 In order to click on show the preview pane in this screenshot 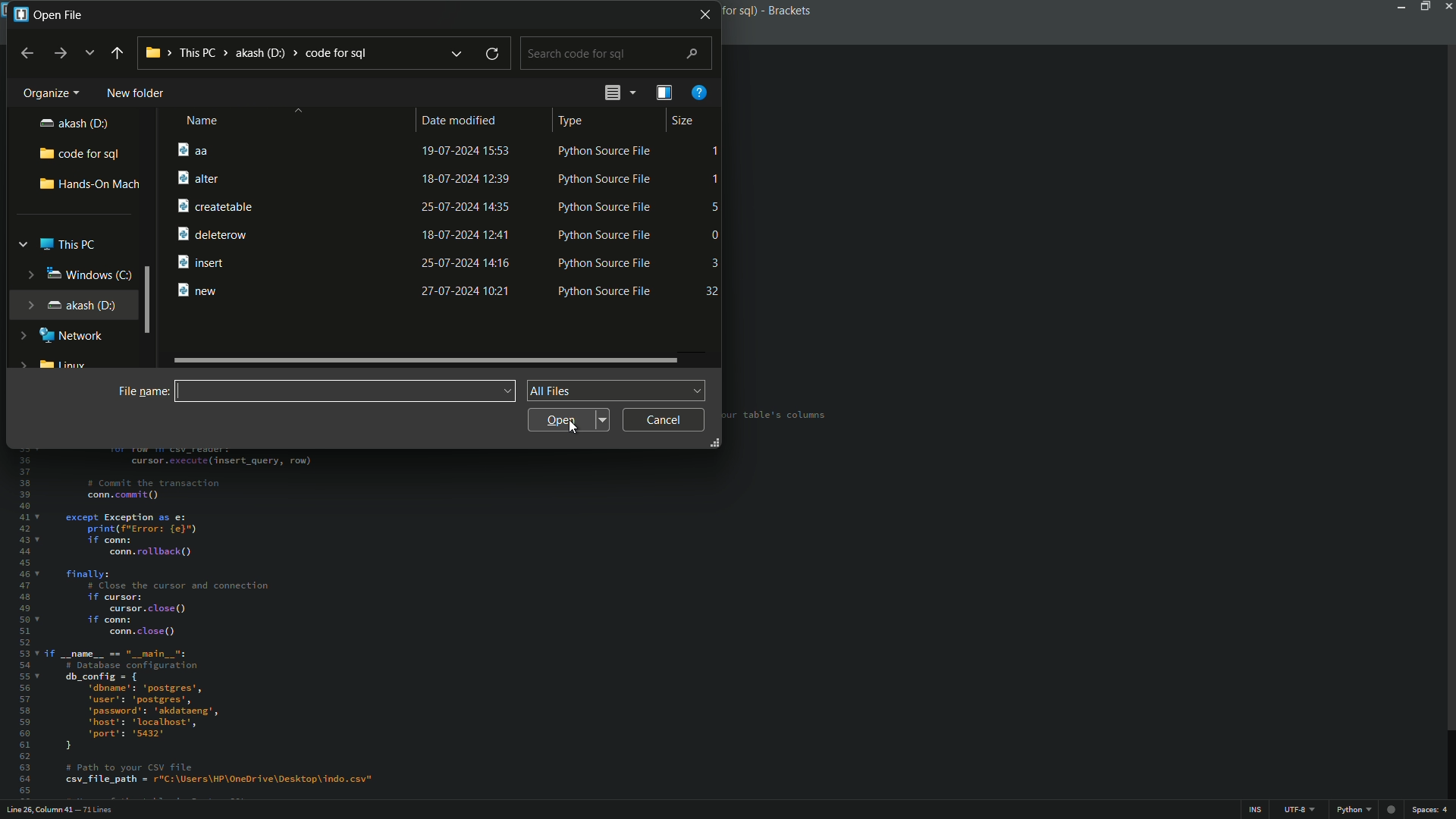, I will do `click(663, 93)`.